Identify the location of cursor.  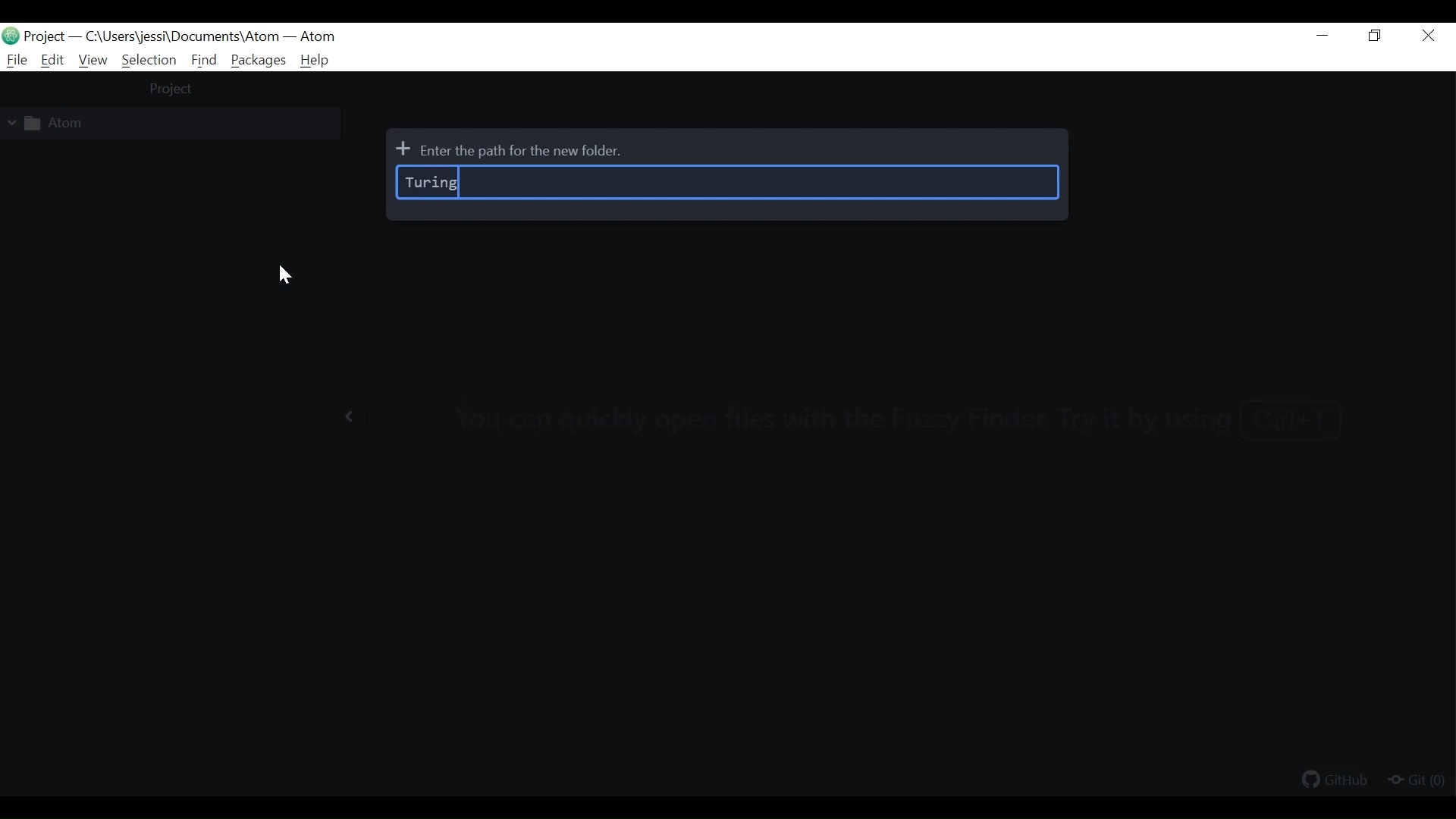
(285, 278).